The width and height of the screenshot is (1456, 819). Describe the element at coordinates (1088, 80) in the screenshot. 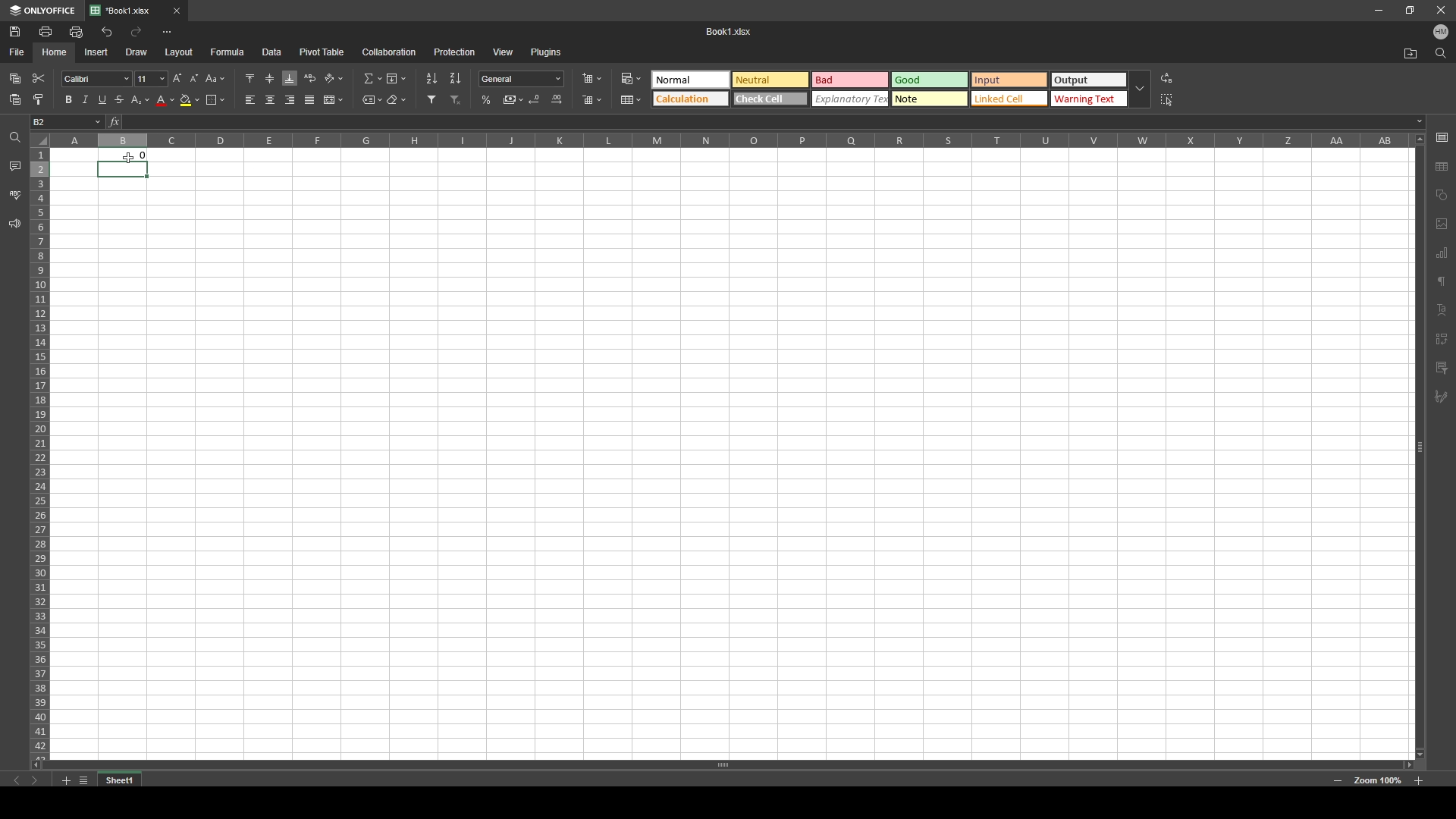

I see `Output` at that location.